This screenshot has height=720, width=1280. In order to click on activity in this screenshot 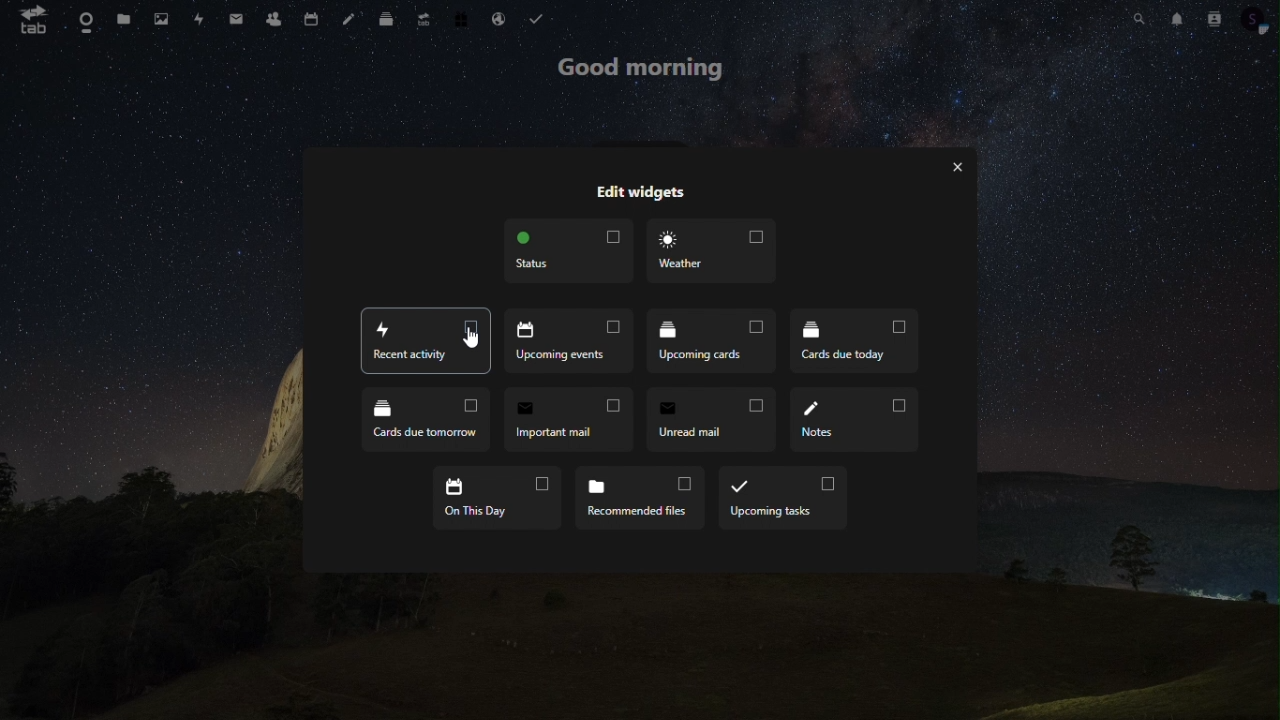, I will do `click(200, 20)`.